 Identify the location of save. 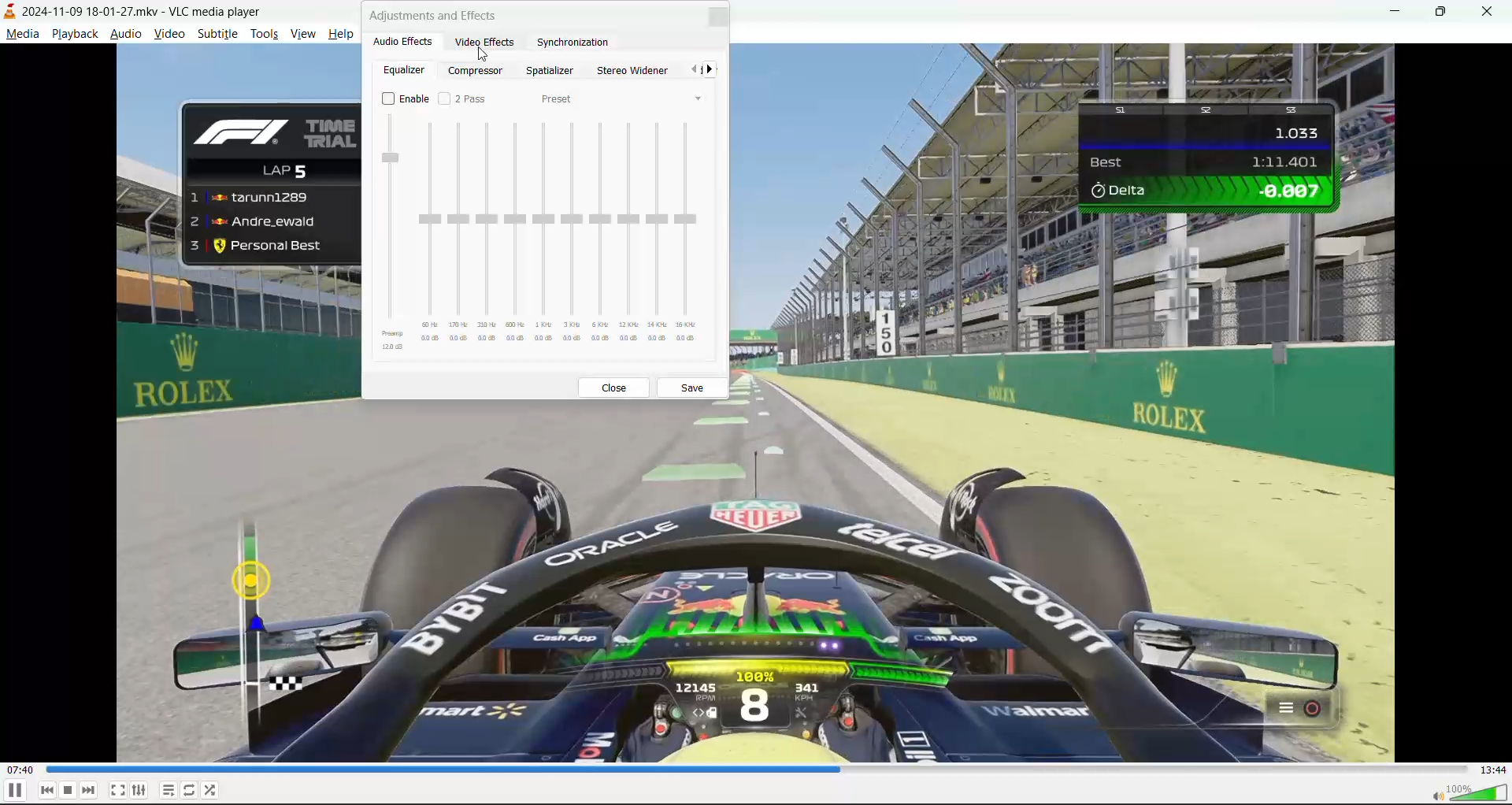
(695, 387).